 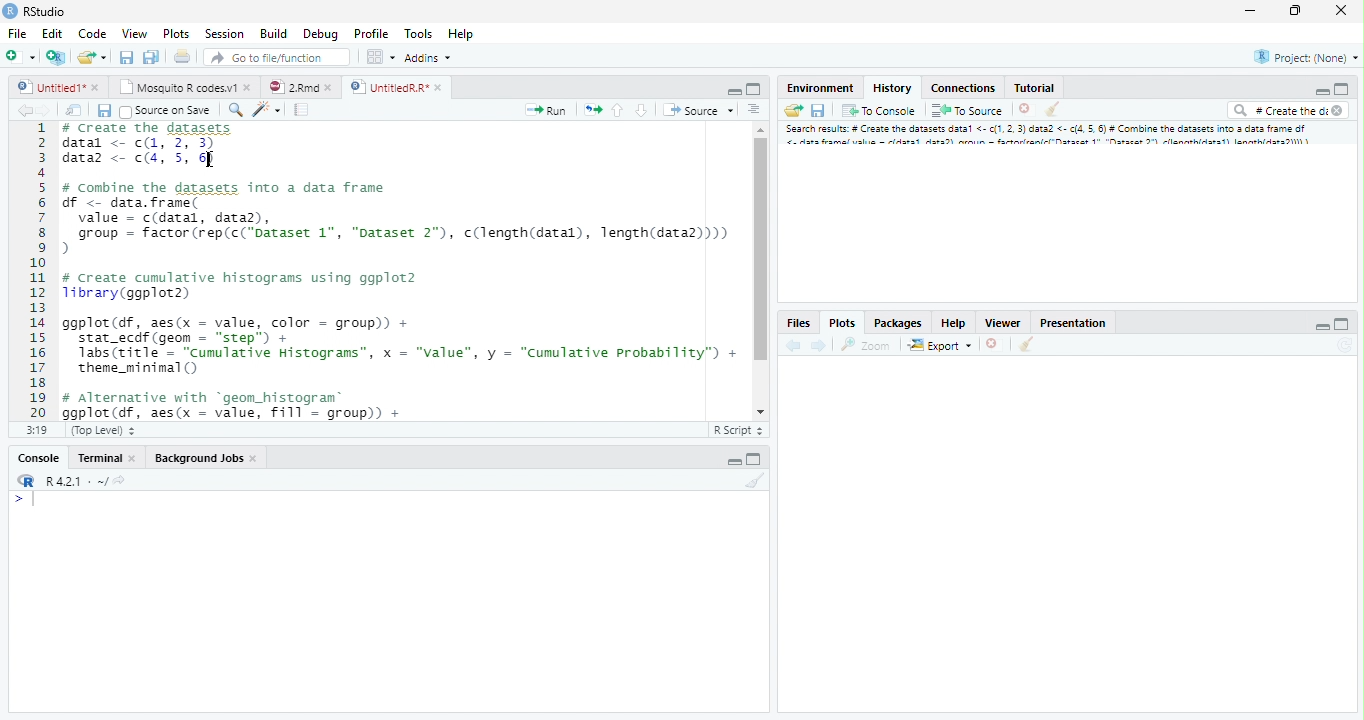 I want to click on Save, so click(x=126, y=57).